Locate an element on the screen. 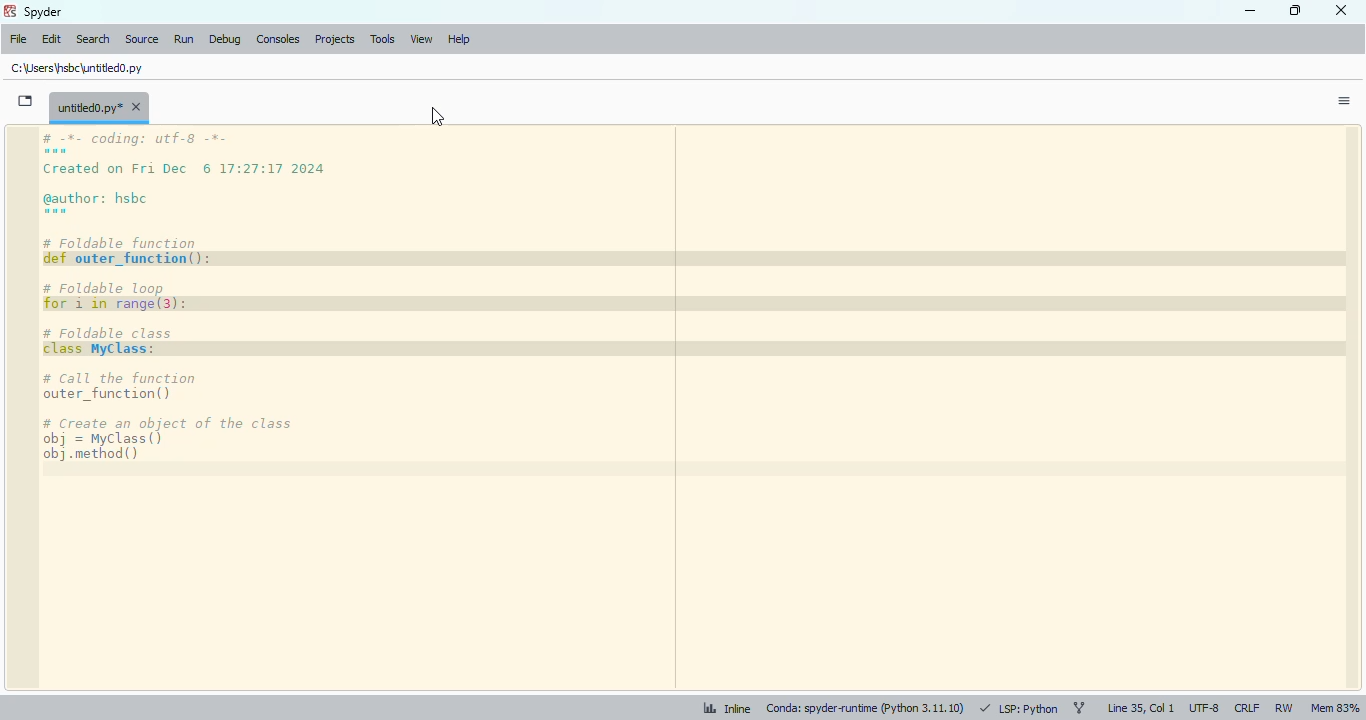  file is located at coordinates (18, 39).